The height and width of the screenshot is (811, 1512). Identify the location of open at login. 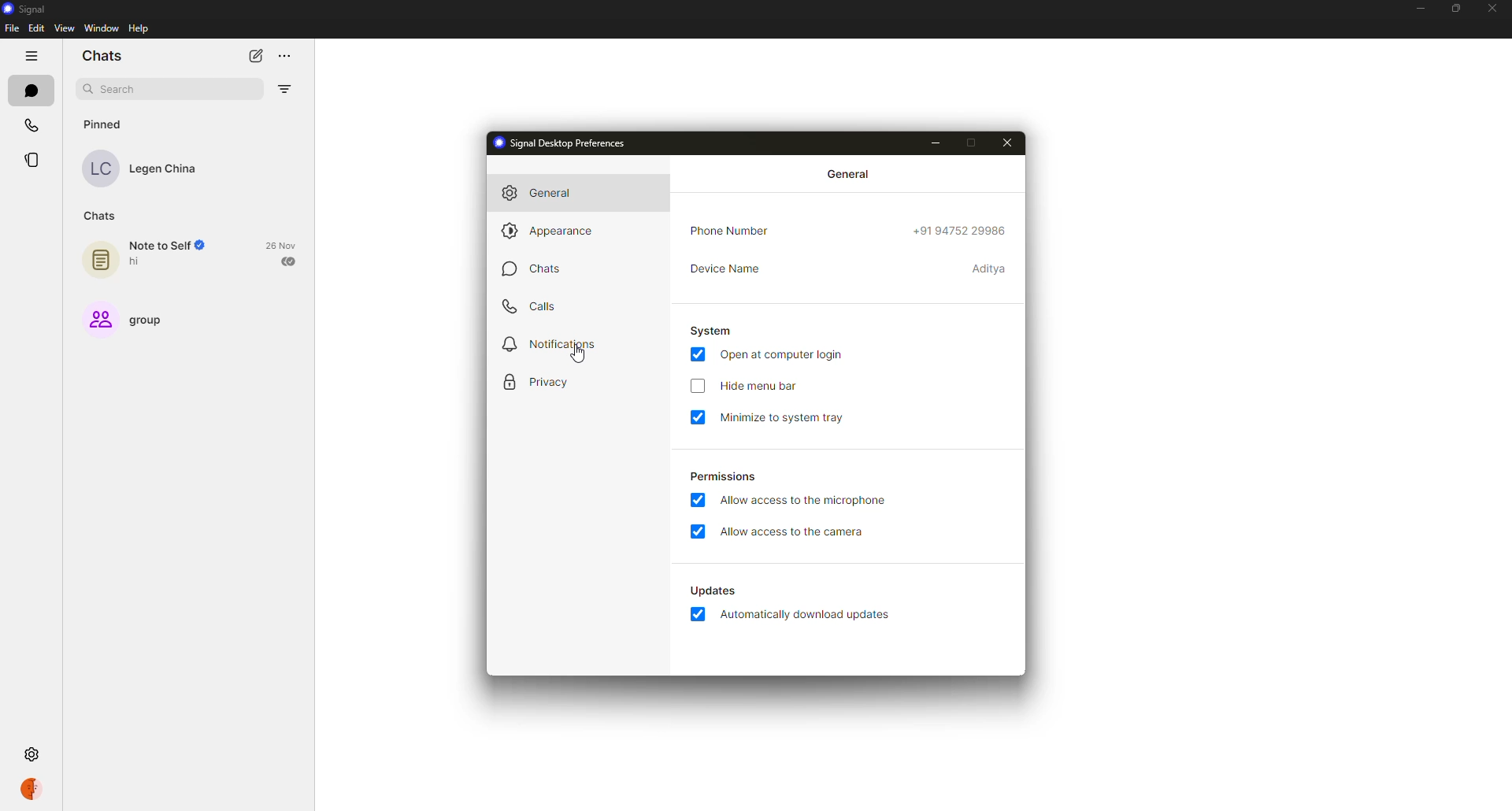
(784, 354).